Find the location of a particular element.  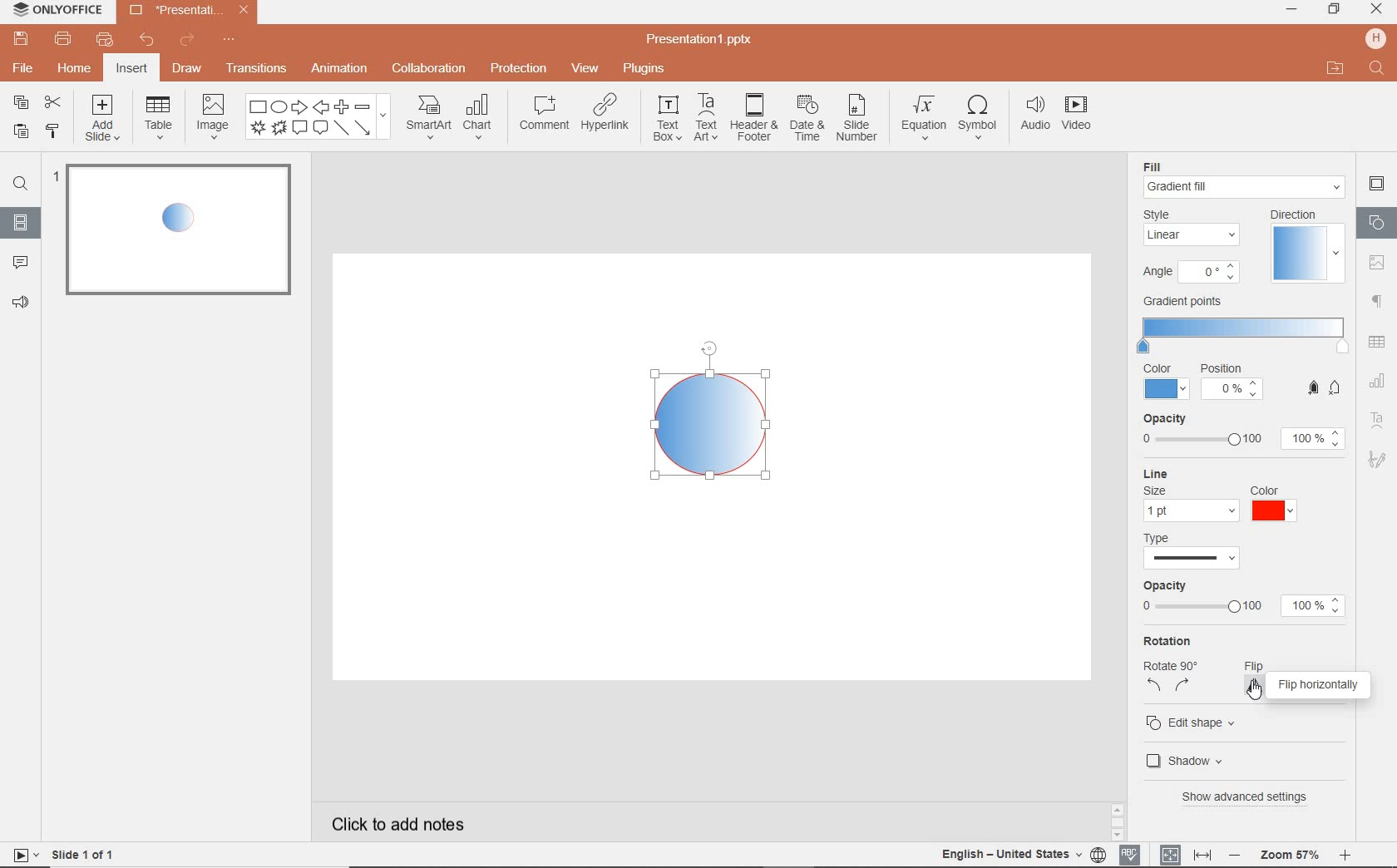

videos is located at coordinates (1079, 115).